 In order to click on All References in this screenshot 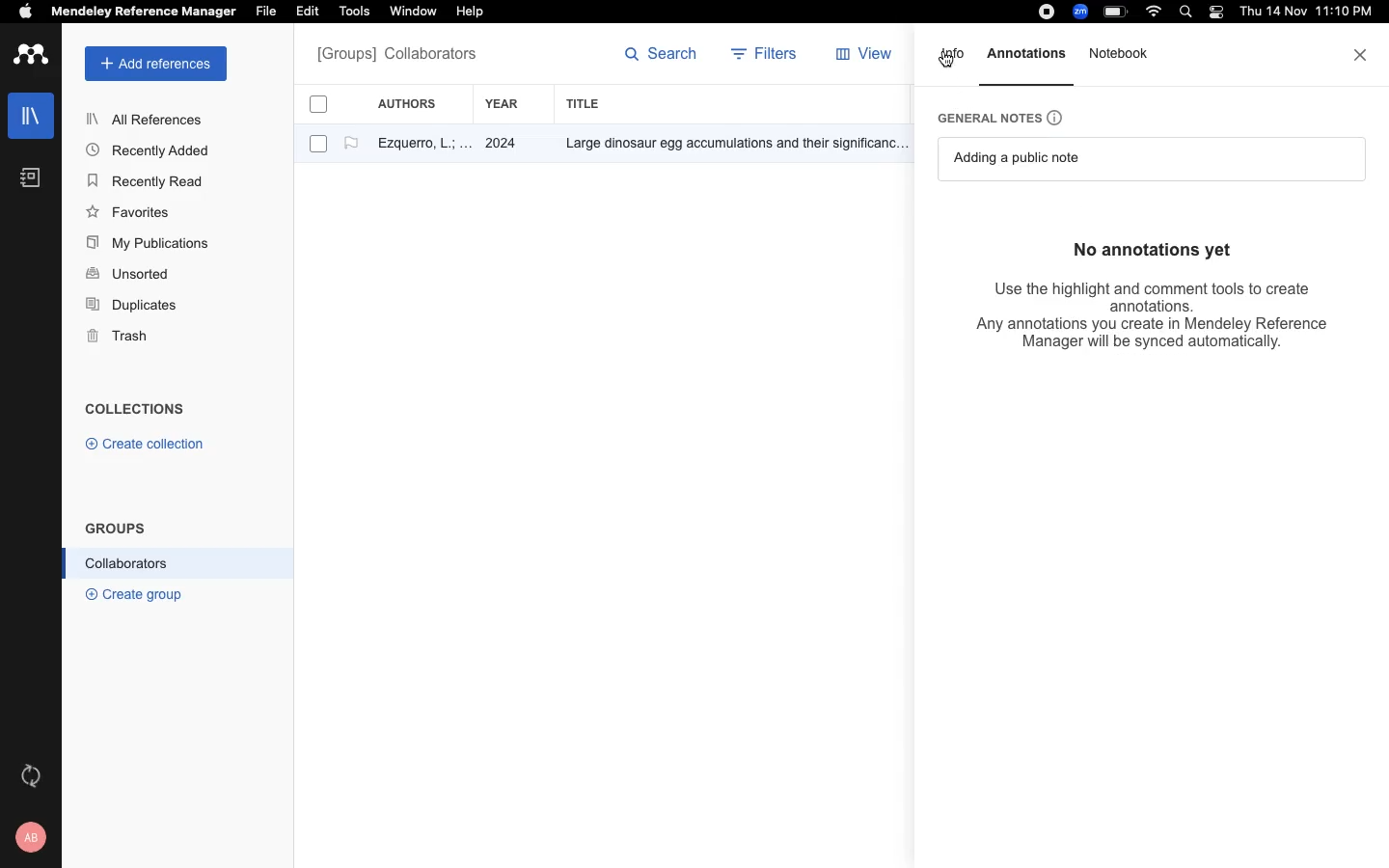, I will do `click(148, 119)`.